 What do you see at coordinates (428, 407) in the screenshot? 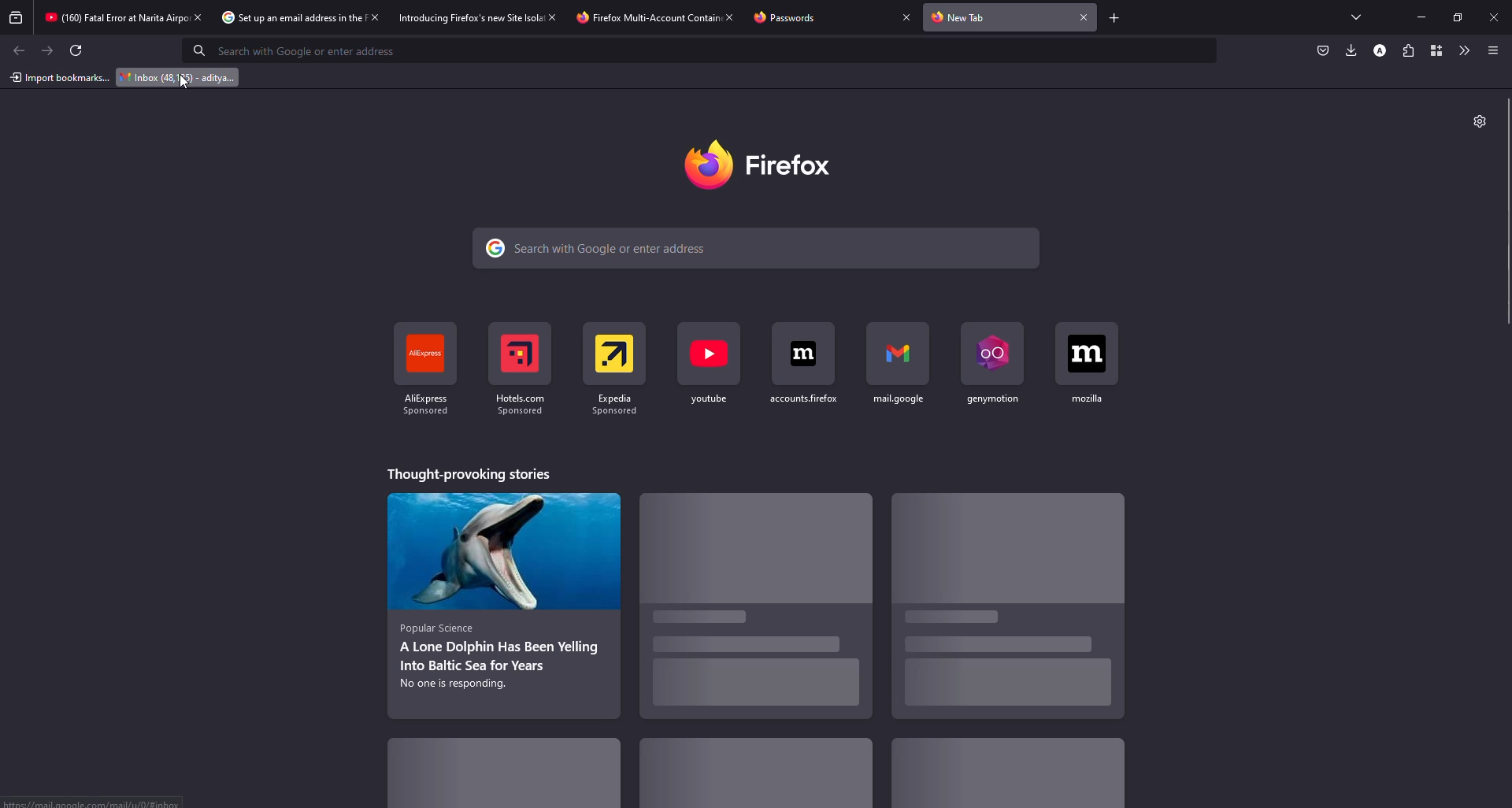
I see `AliExpress sponsored` at bounding box center [428, 407].